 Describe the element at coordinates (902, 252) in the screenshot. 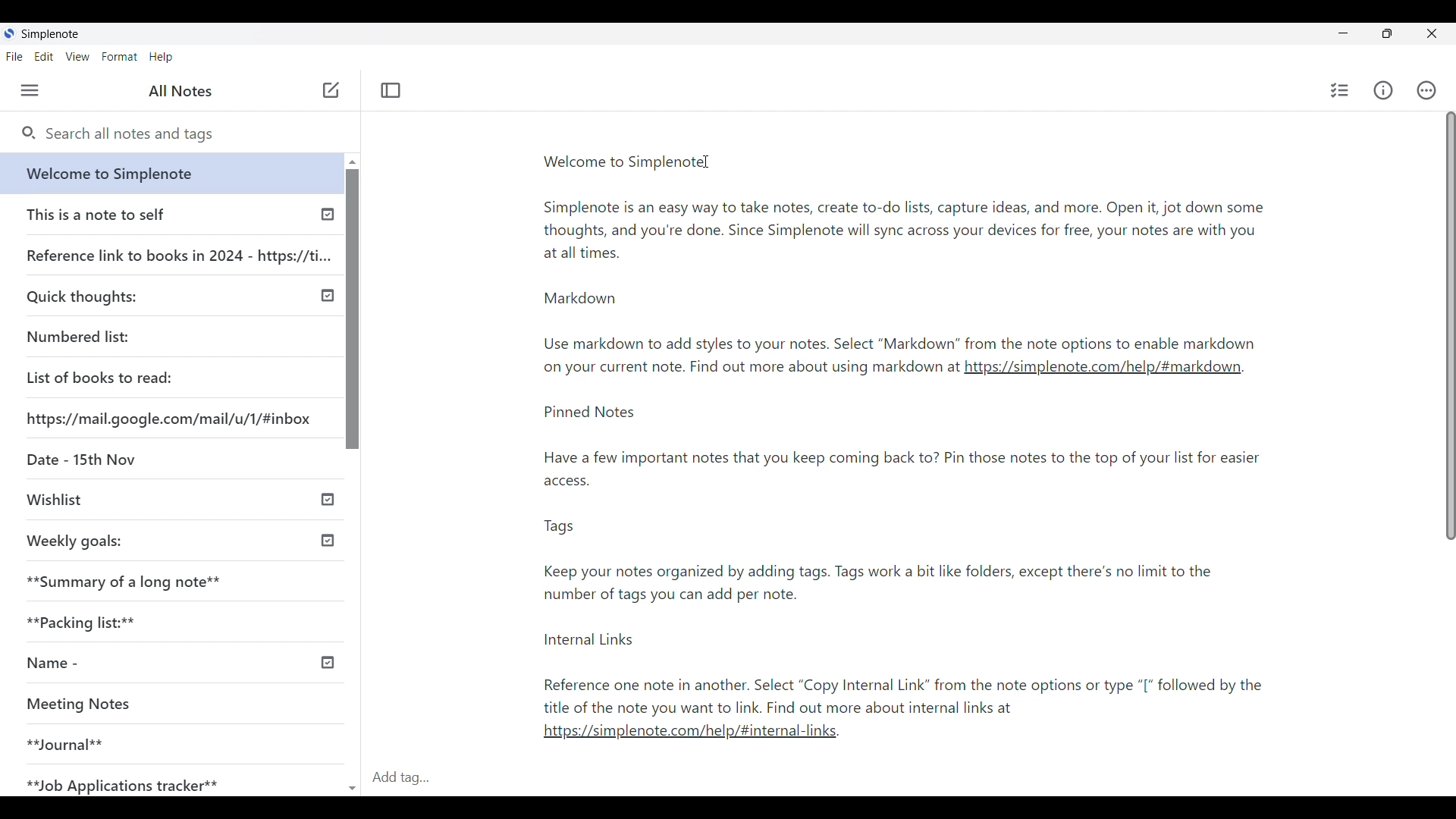

I see `Current note text` at that location.